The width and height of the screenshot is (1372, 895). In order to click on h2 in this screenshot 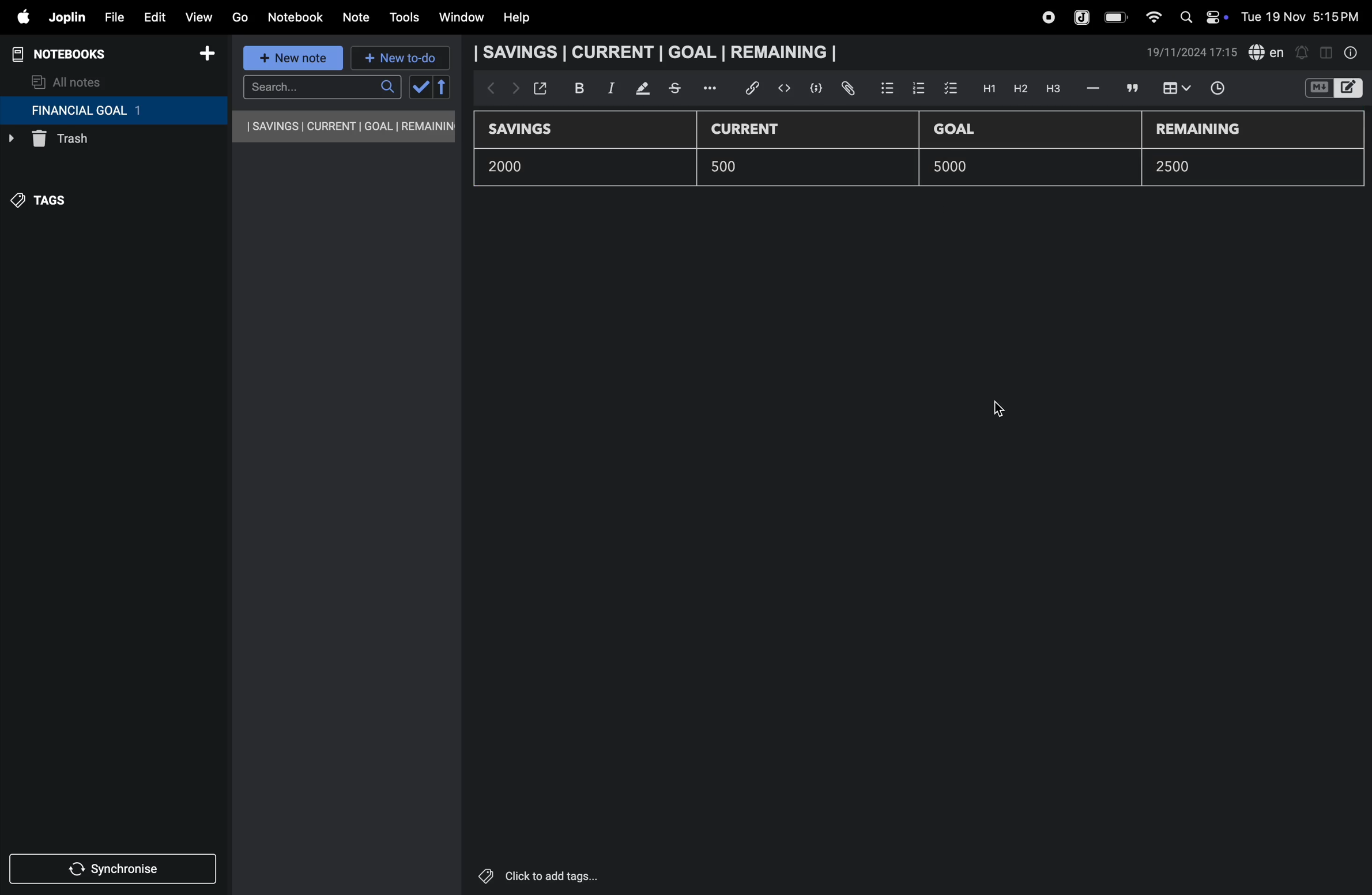, I will do `click(1019, 88)`.